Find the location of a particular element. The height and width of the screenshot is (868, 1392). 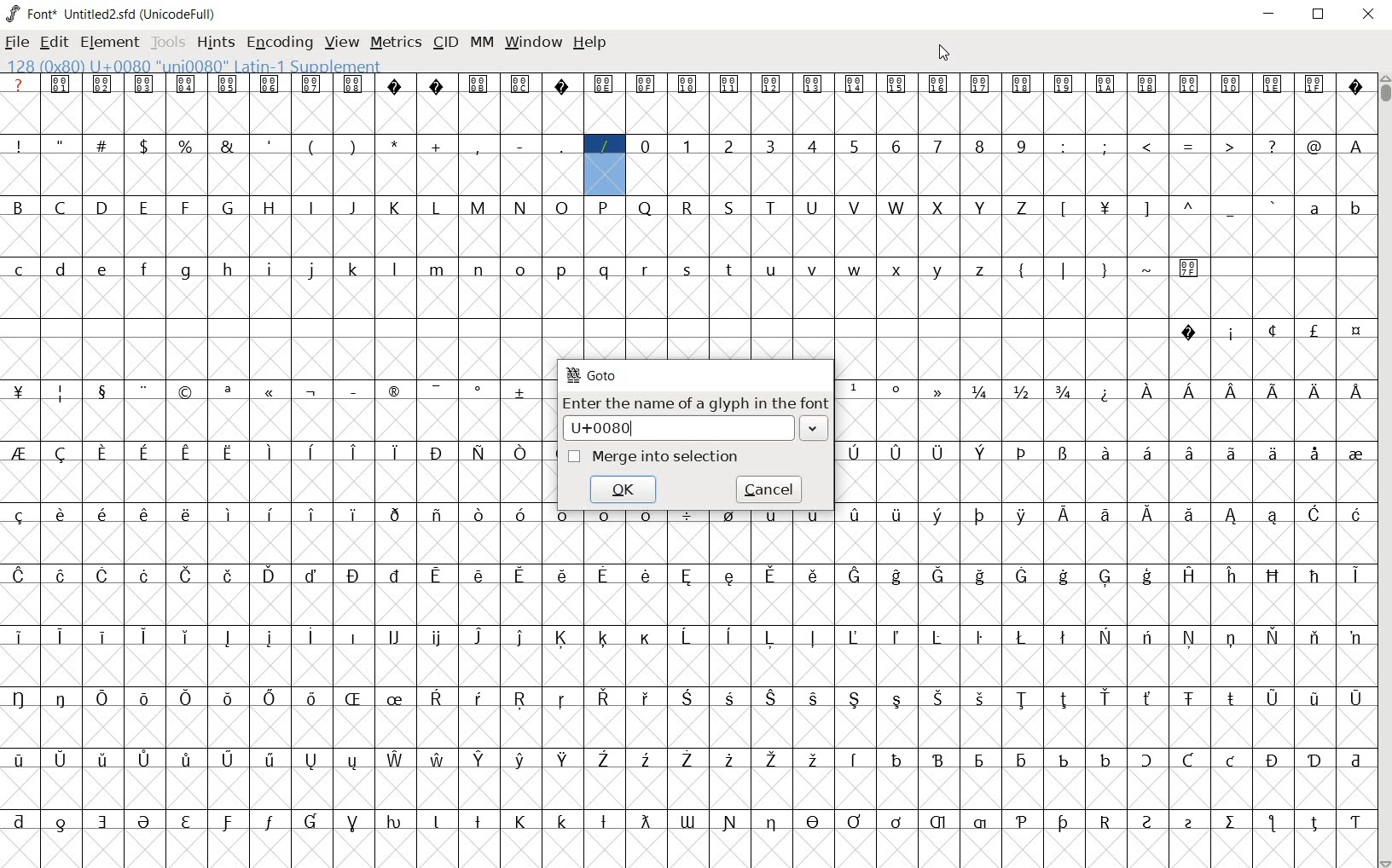

glyph is located at coordinates (647, 518).